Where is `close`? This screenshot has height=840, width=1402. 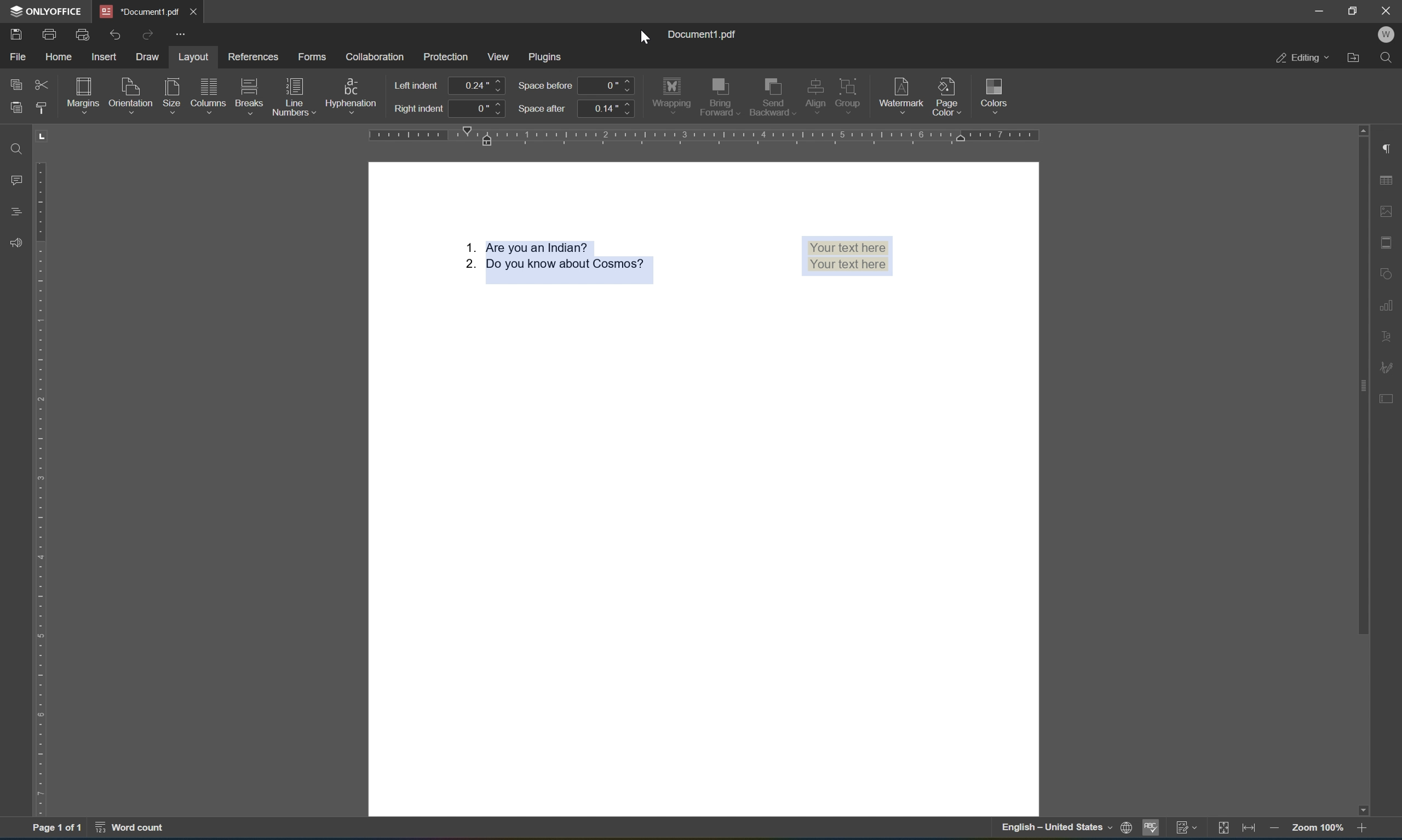 close is located at coordinates (1386, 11).